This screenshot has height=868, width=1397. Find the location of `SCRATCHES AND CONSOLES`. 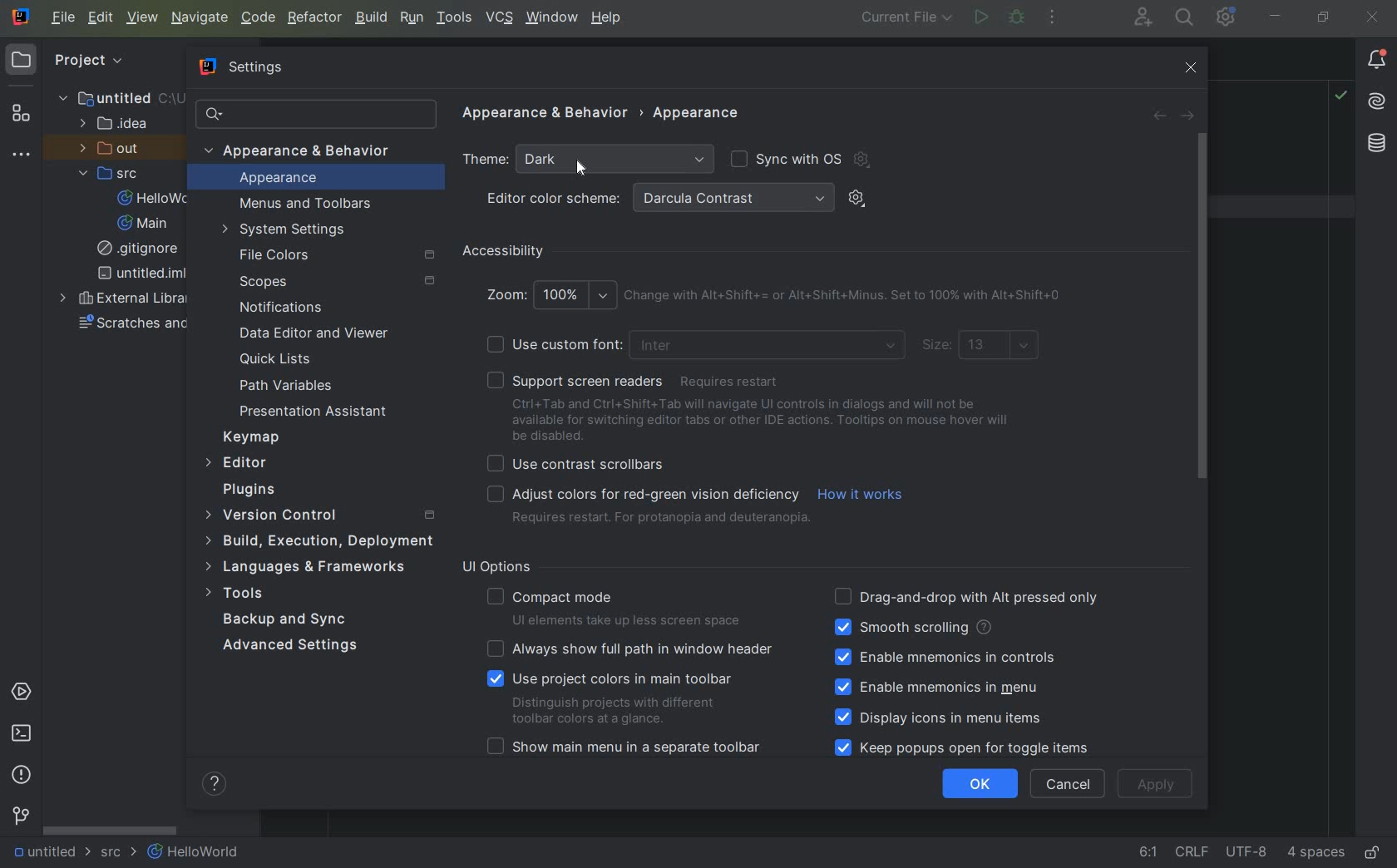

SCRATCHES AND CONSOLES is located at coordinates (131, 326).